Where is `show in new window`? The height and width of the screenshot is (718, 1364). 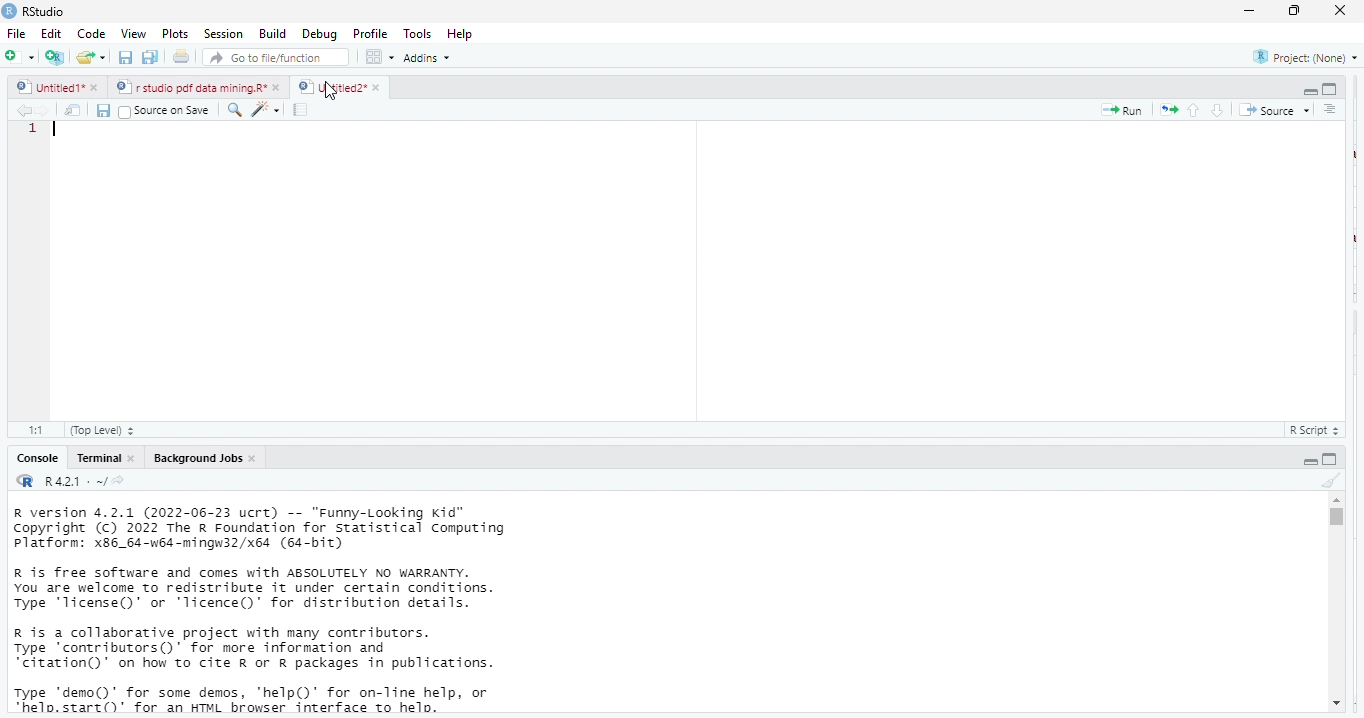 show in new window is located at coordinates (75, 110).